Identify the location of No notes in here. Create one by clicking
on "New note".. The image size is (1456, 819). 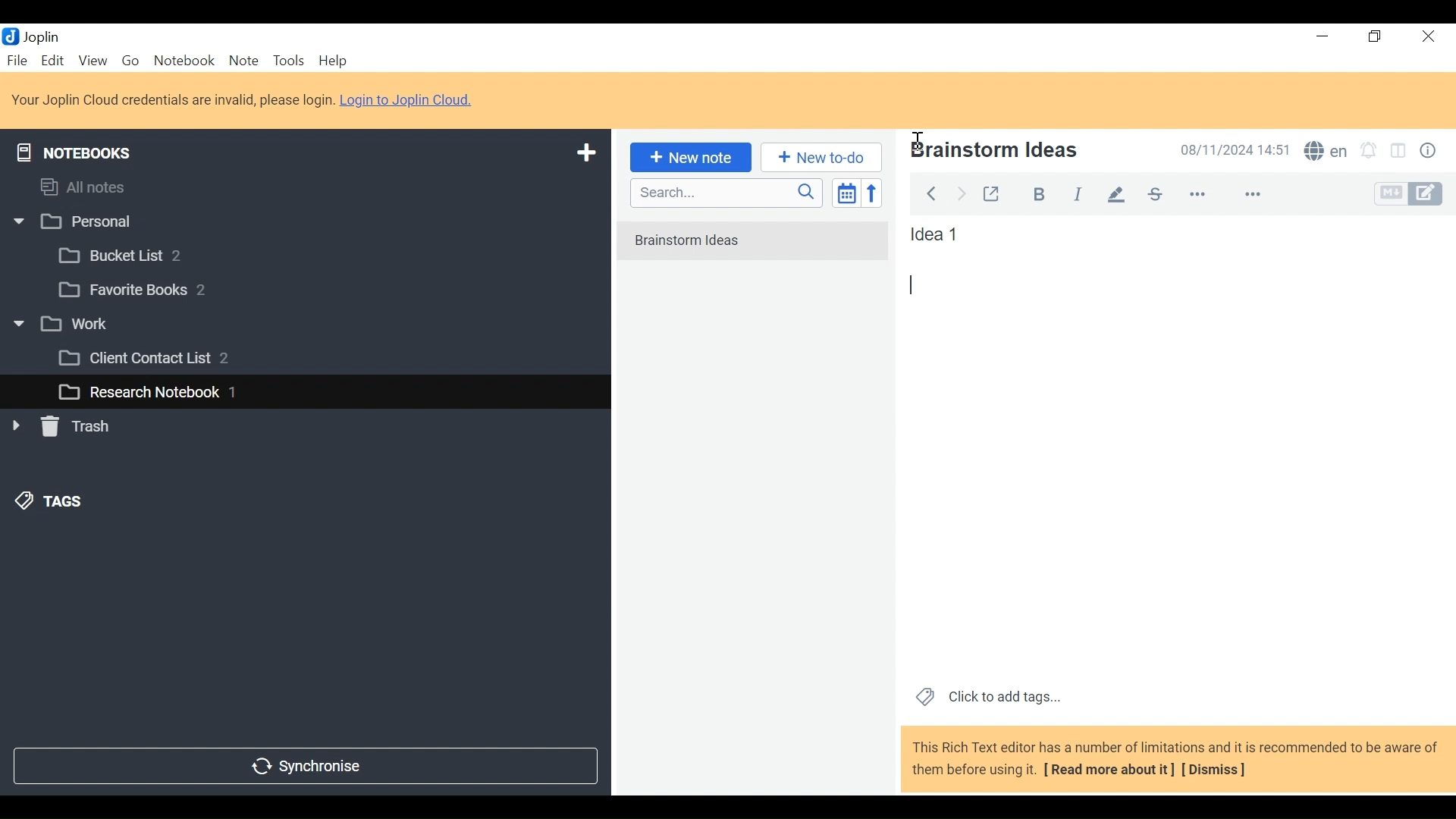
(757, 250).